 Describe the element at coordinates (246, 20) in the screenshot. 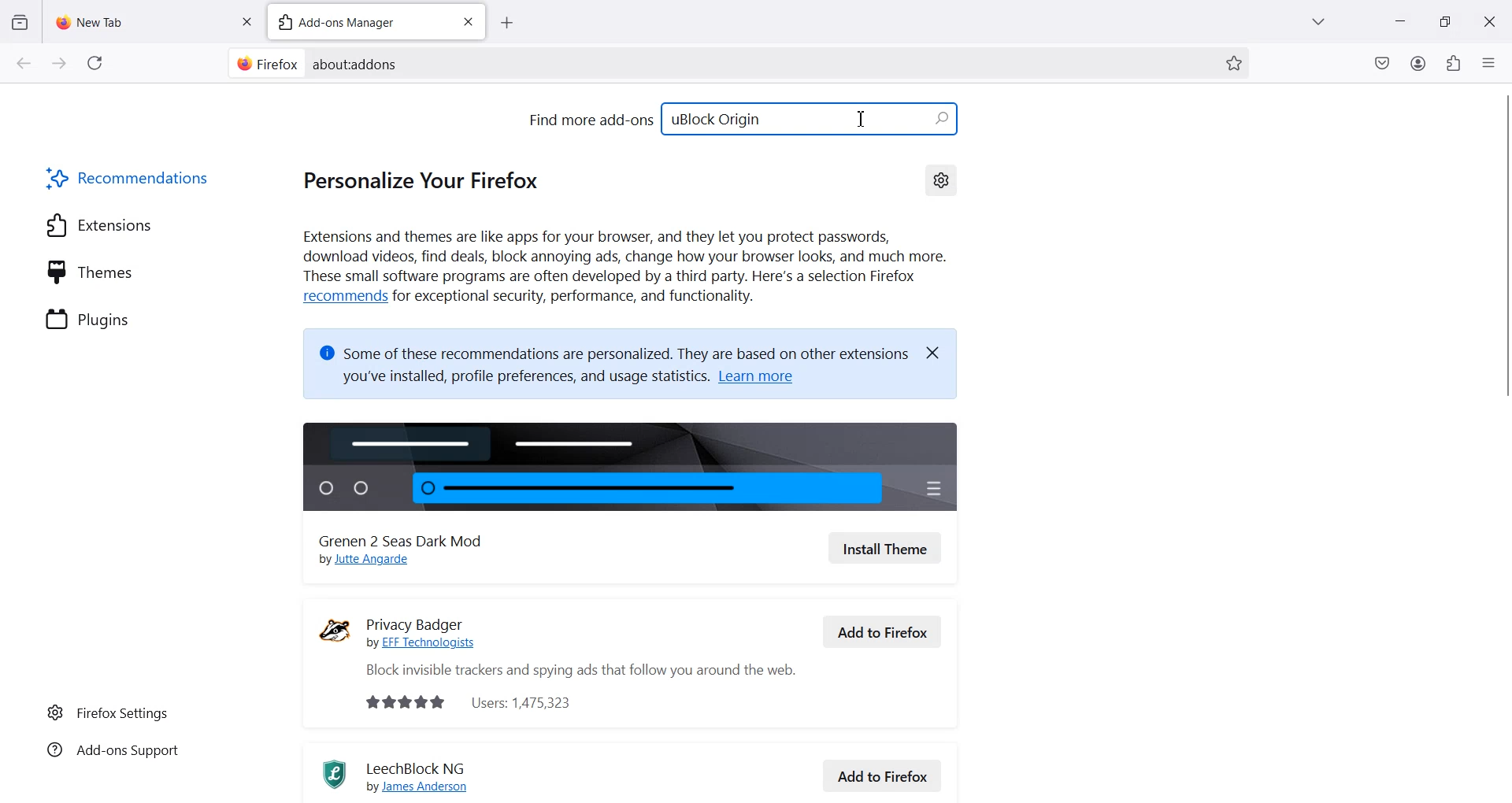

I see `Close tab` at that location.